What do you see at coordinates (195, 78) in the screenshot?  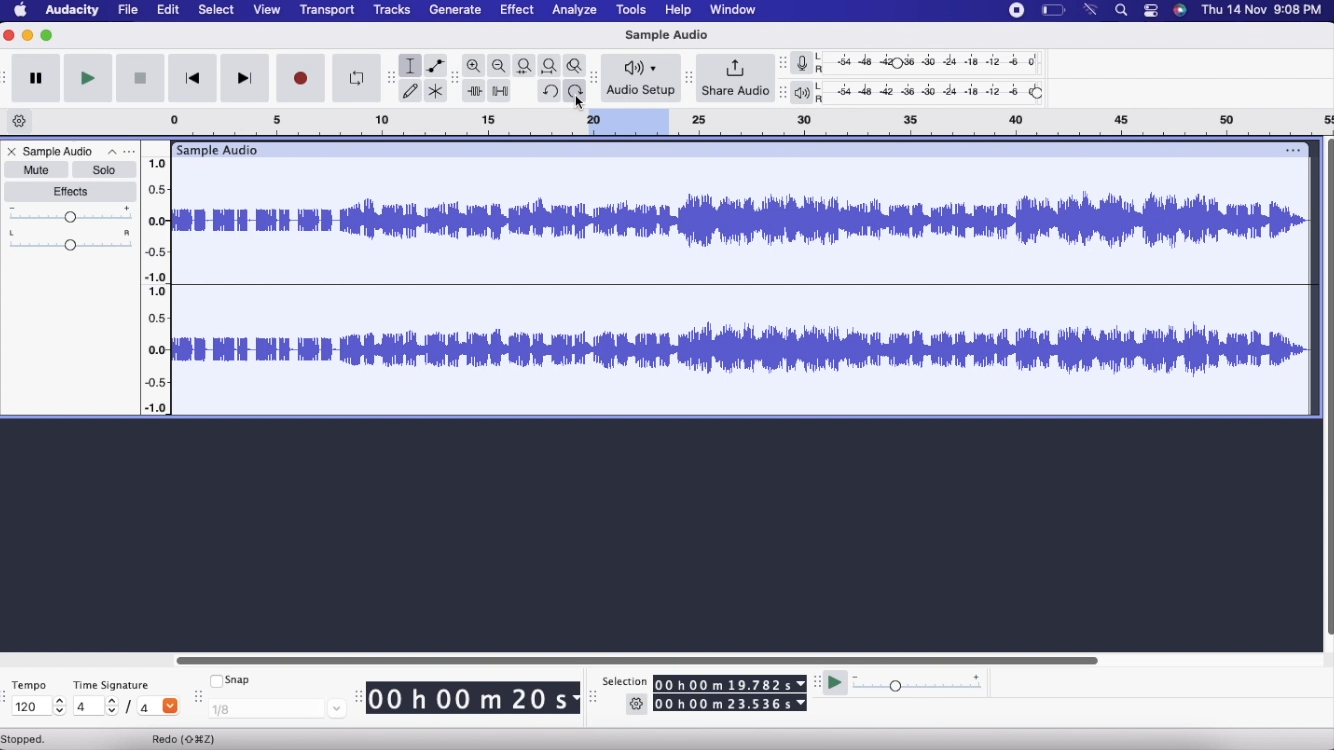 I see `Skip to start` at bounding box center [195, 78].